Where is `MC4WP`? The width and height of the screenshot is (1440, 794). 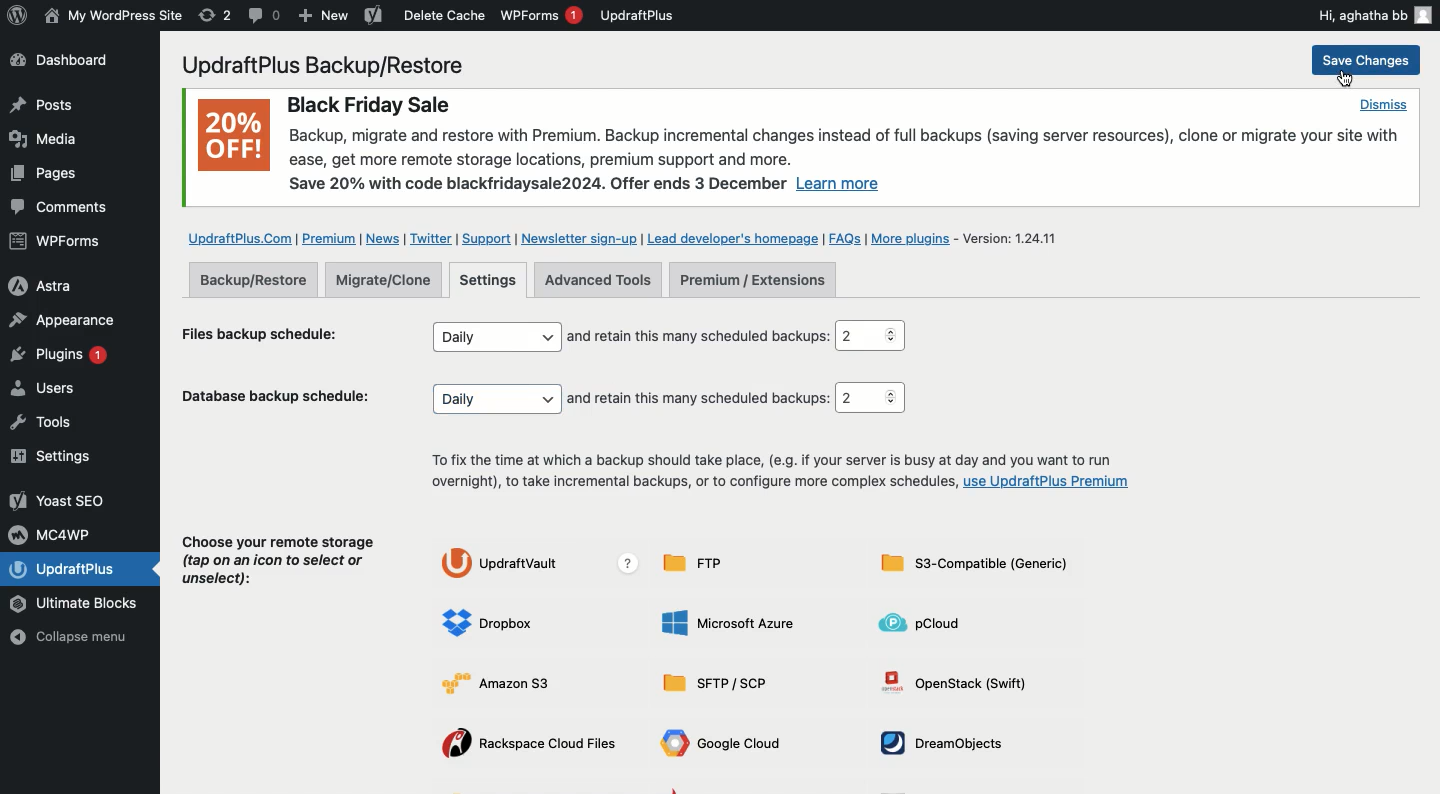
MC4WP is located at coordinates (55, 533).